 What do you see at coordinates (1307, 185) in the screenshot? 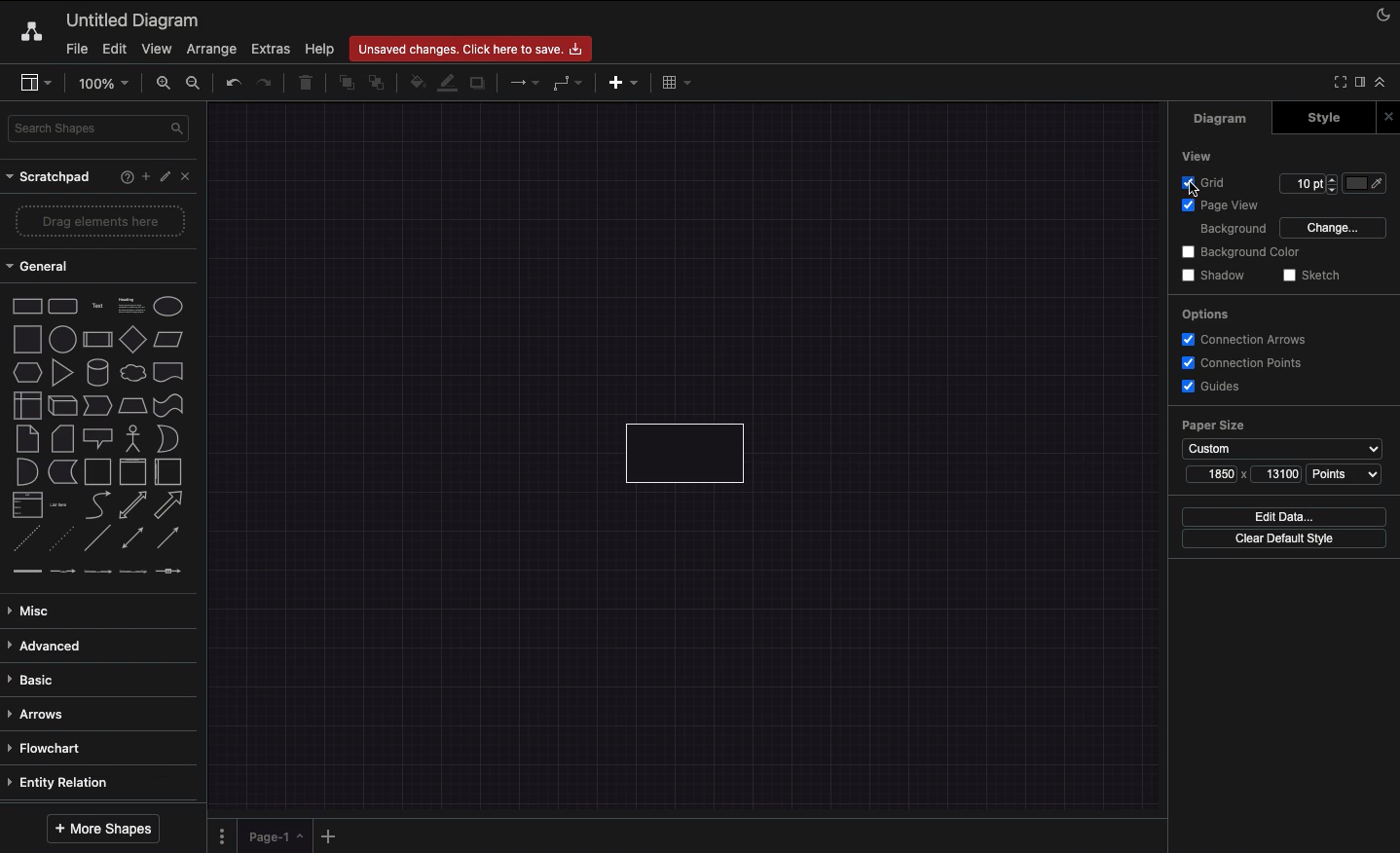
I see `Size` at bounding box center [1307, 185].